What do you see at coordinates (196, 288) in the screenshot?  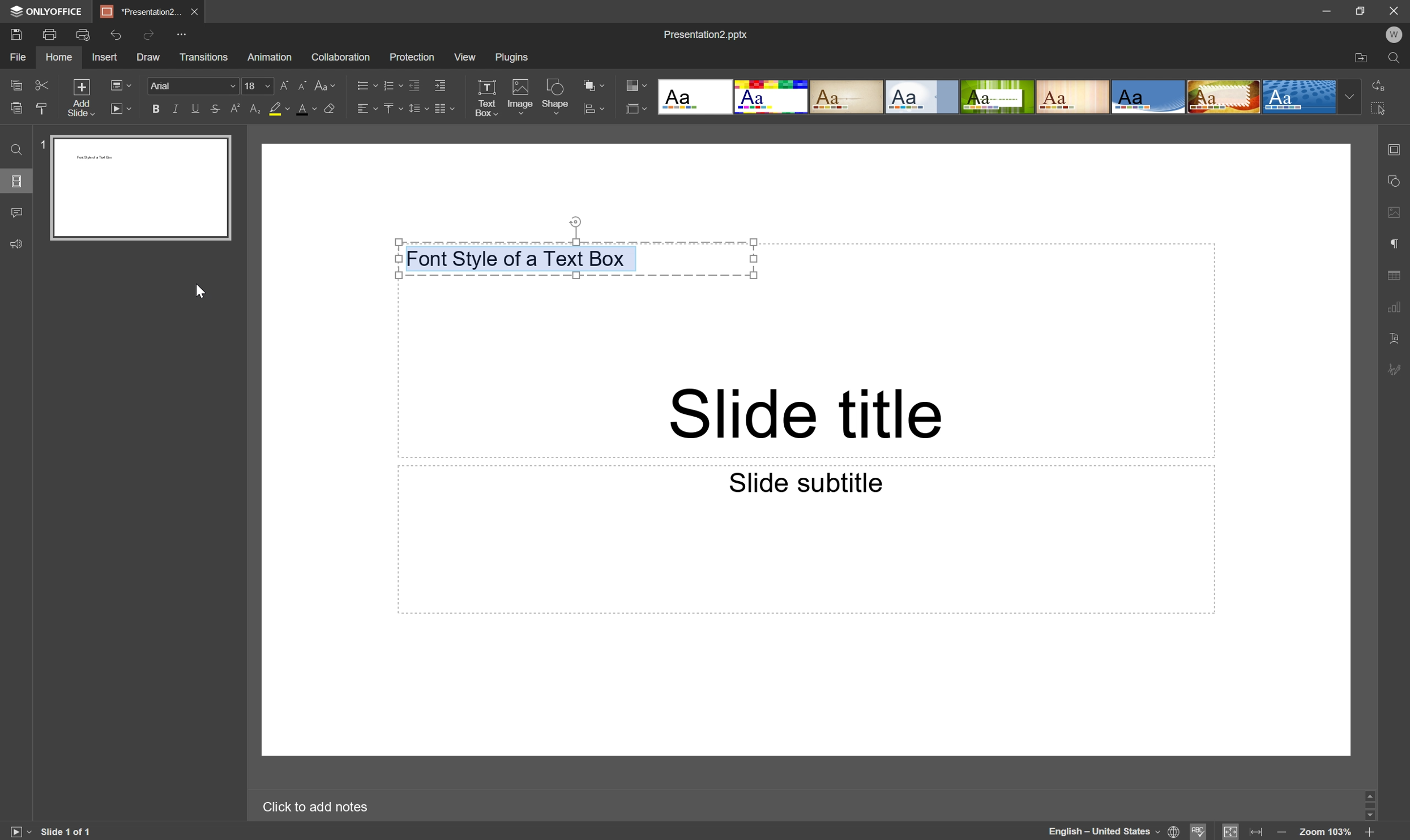 I see `Cursor` at bounding box center [196, 288].